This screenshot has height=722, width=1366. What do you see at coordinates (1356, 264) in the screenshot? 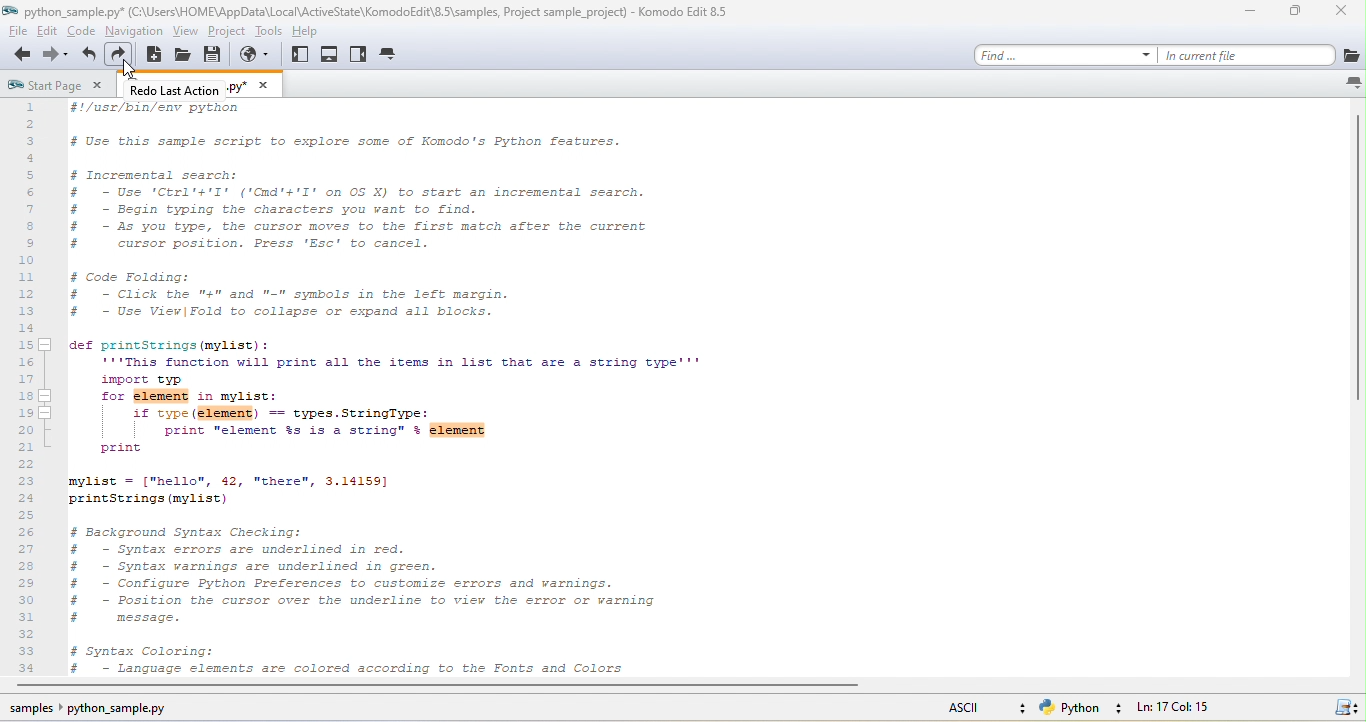
I see `vertical scroll bar` at bounding box center [1356, 264].